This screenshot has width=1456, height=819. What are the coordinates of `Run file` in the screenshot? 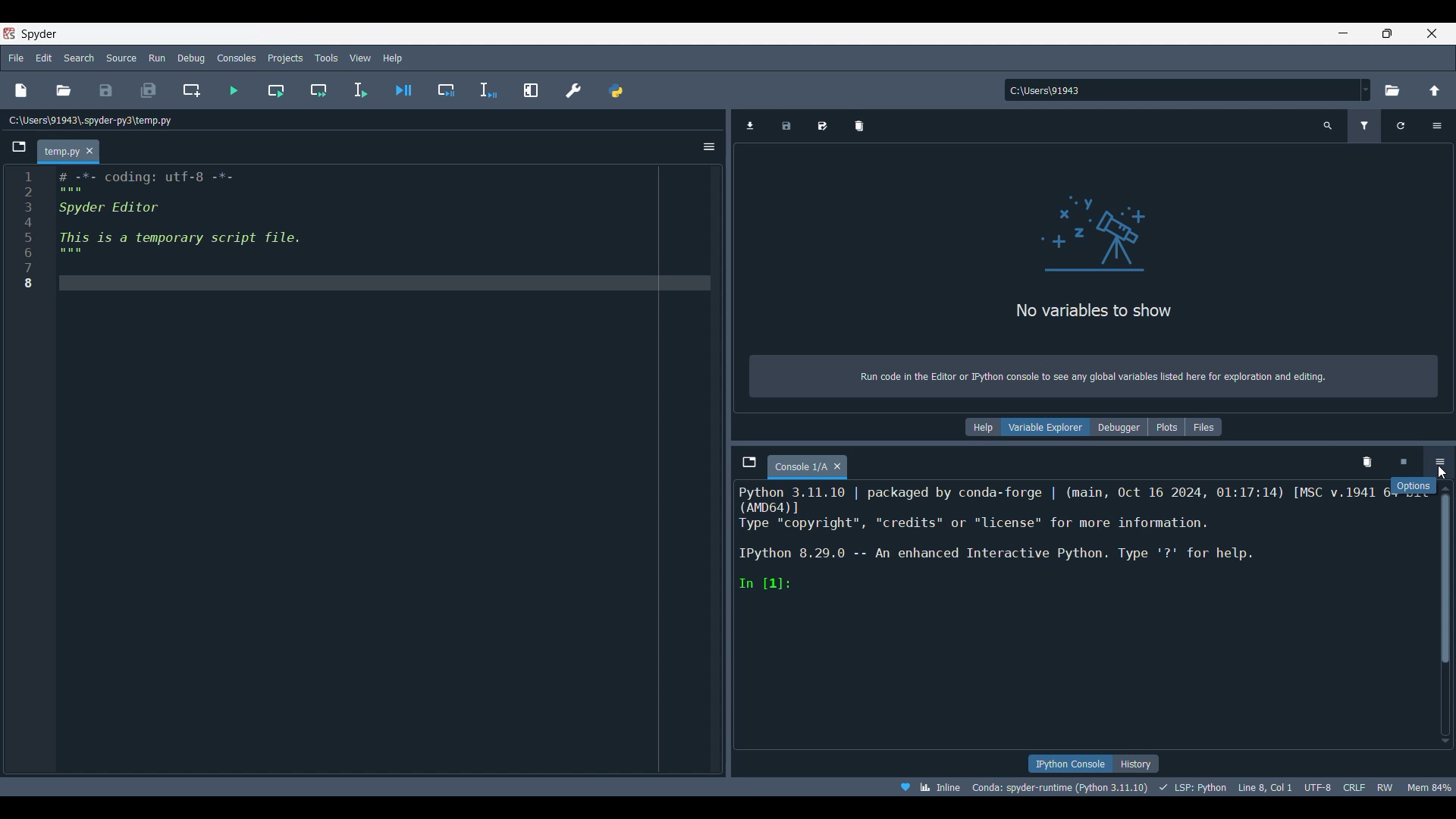 It's located at (234, 90).